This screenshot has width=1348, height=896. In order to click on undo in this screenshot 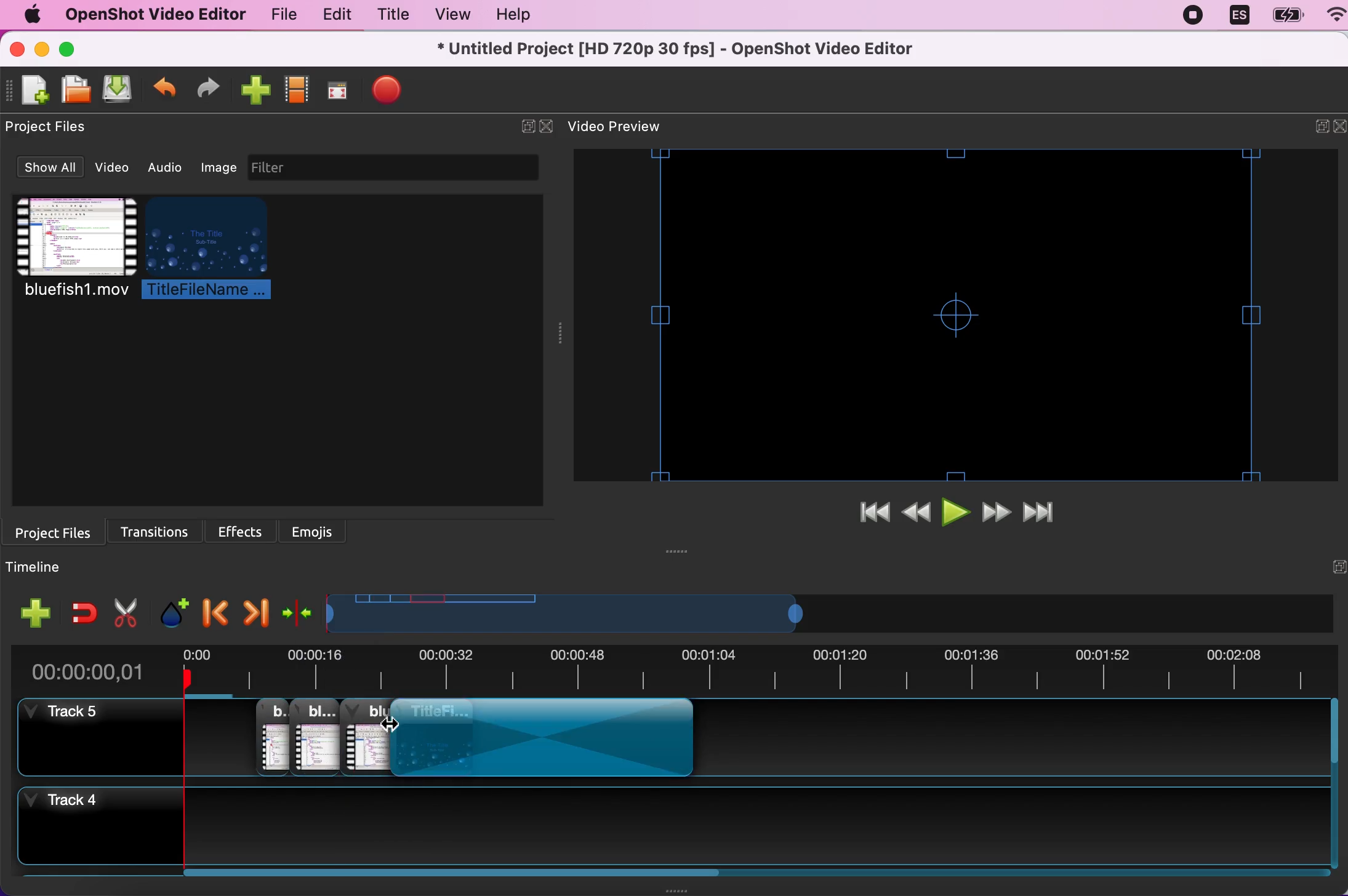, I will do `click(165, 92)`.